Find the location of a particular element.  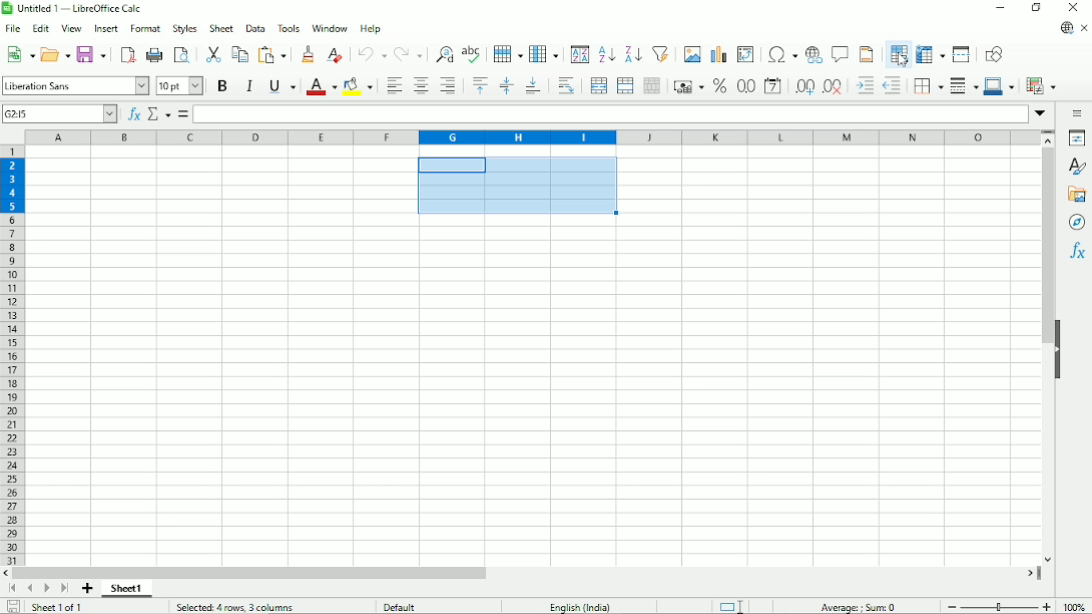

Standard selection is located at coordinates (732, 605).